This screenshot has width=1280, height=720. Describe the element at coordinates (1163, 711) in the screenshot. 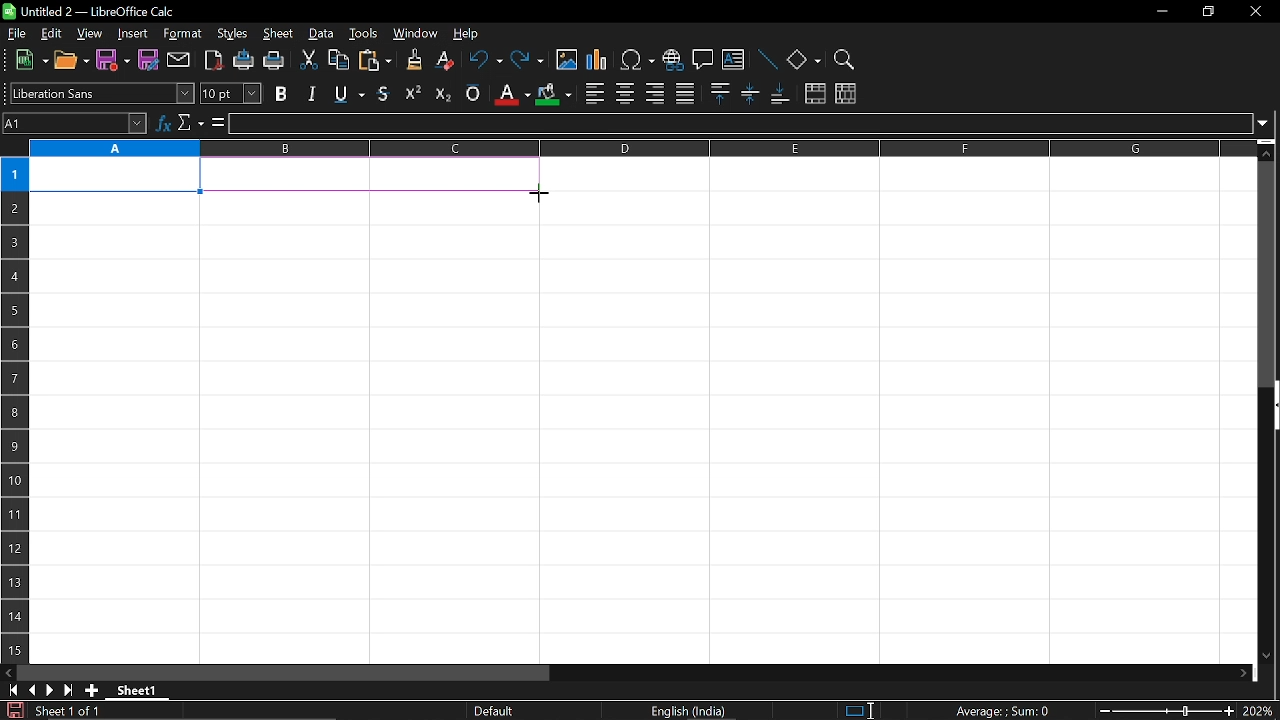

I see `change zoom` at that location.